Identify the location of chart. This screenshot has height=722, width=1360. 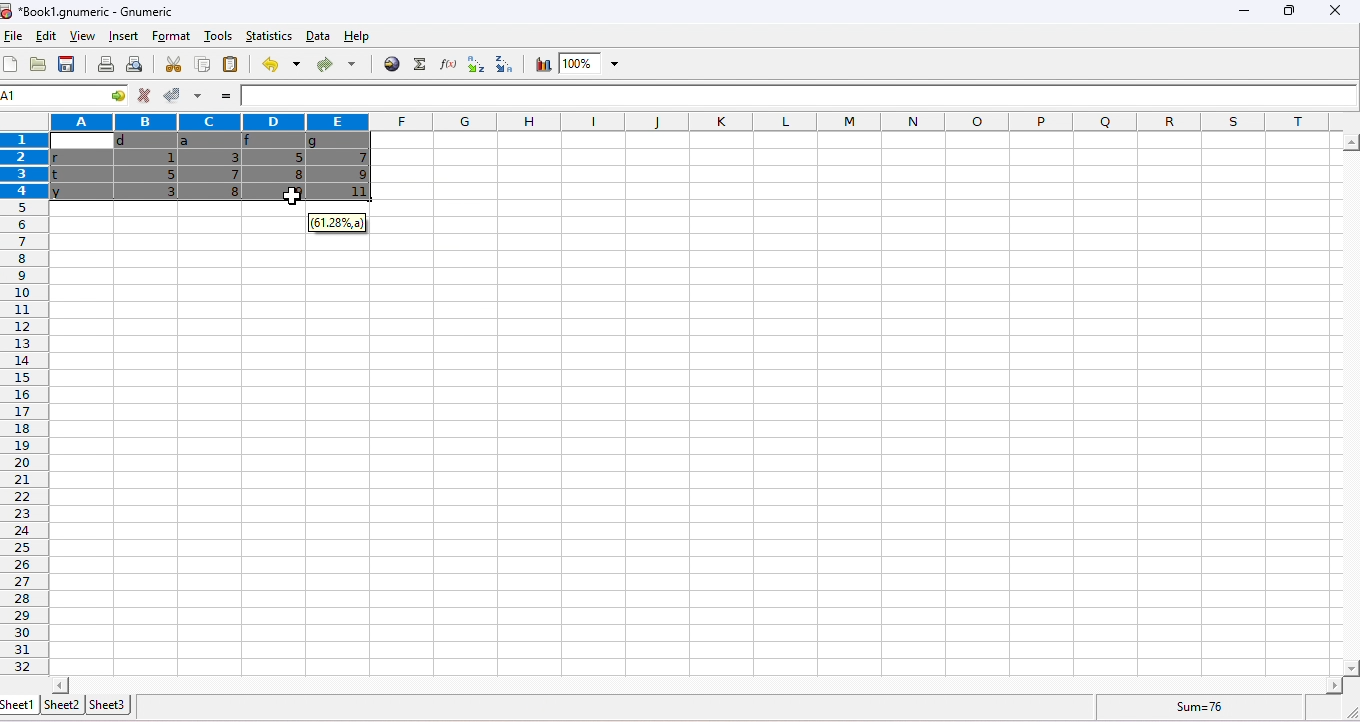
(541, 65).